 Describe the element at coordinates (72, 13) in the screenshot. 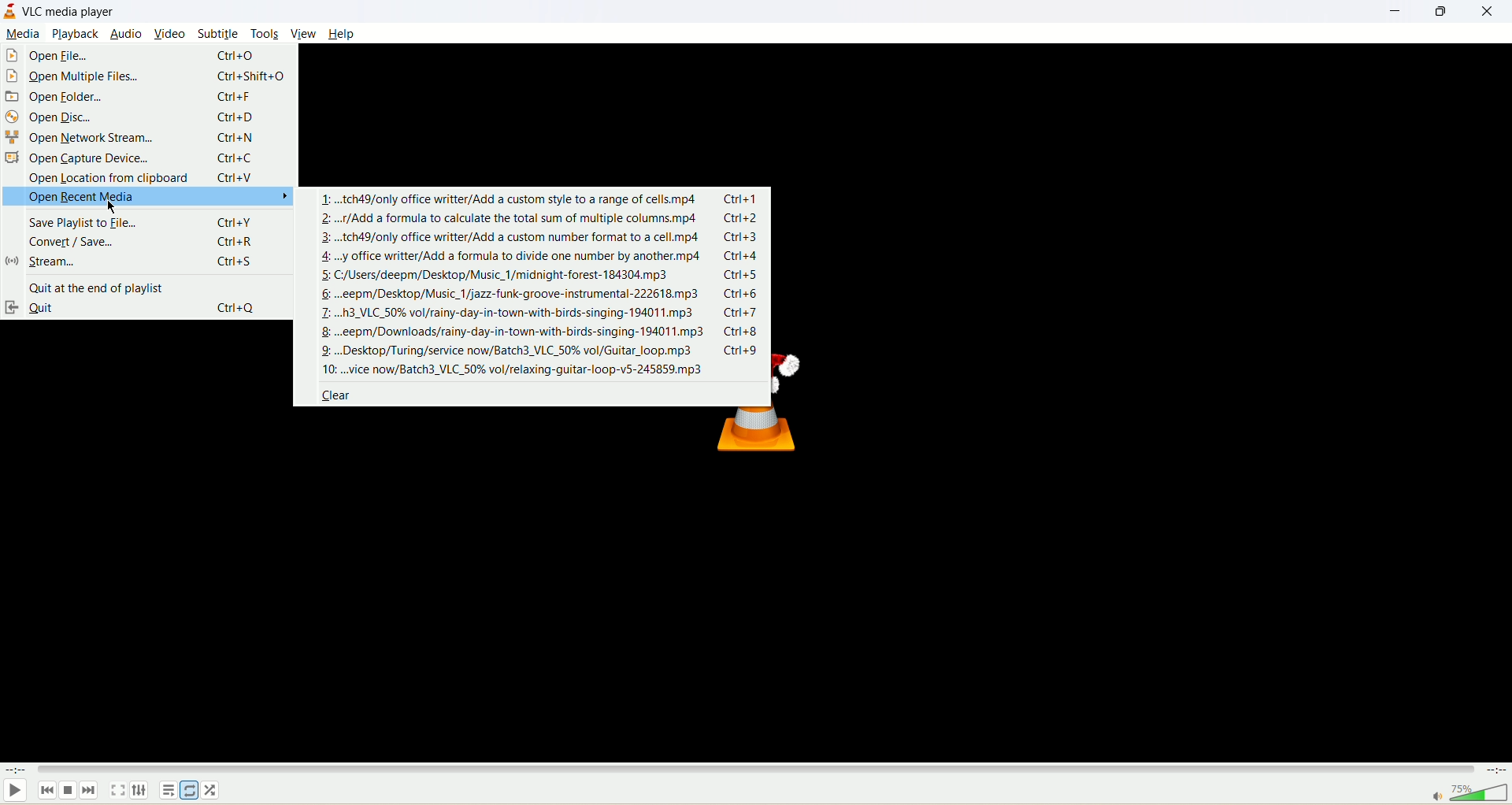

I see `VLC MEDIA PLAYER` at that location.